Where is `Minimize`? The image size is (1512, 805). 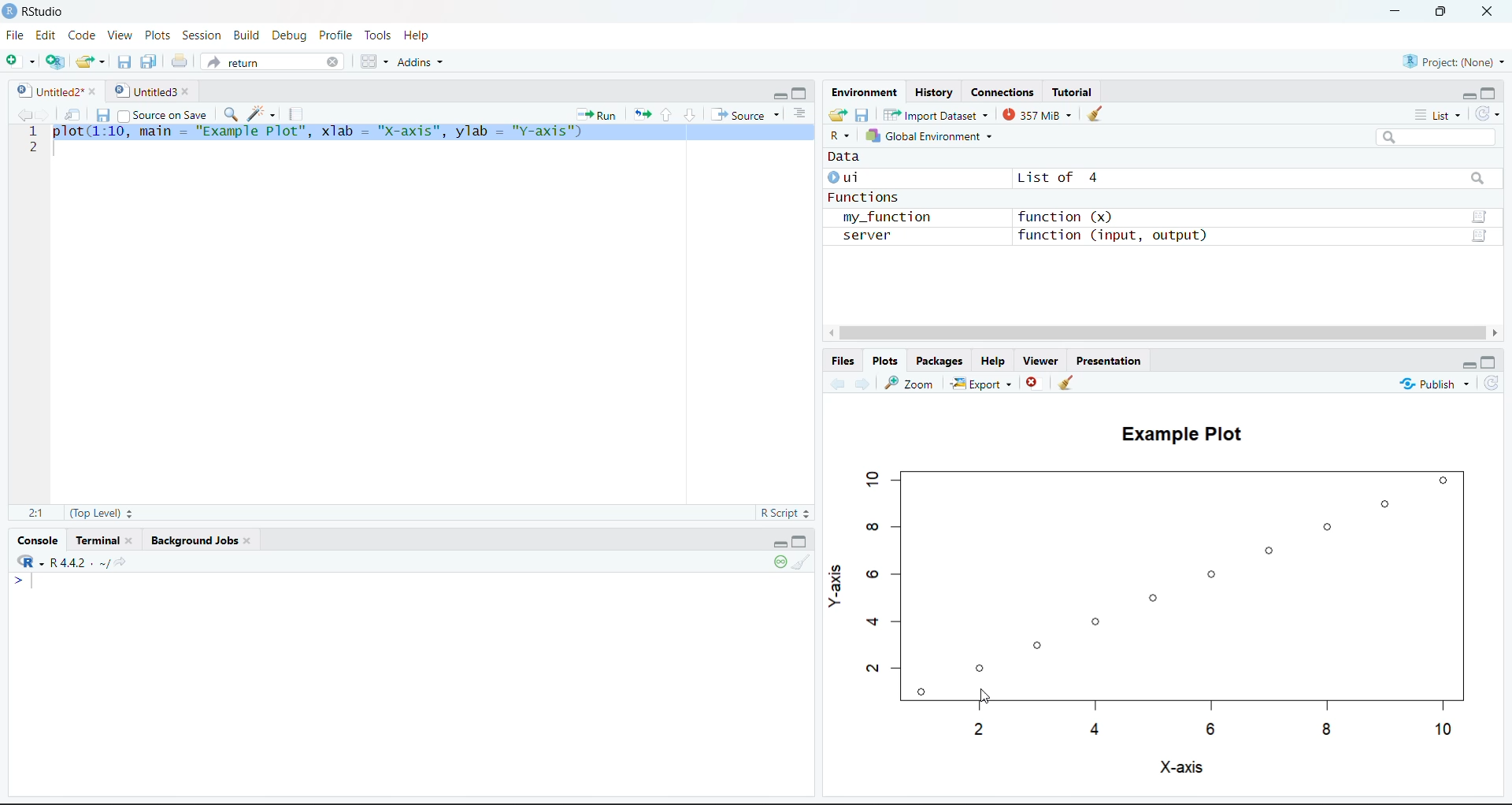 Minimize is located at coordinates (1468, 365).